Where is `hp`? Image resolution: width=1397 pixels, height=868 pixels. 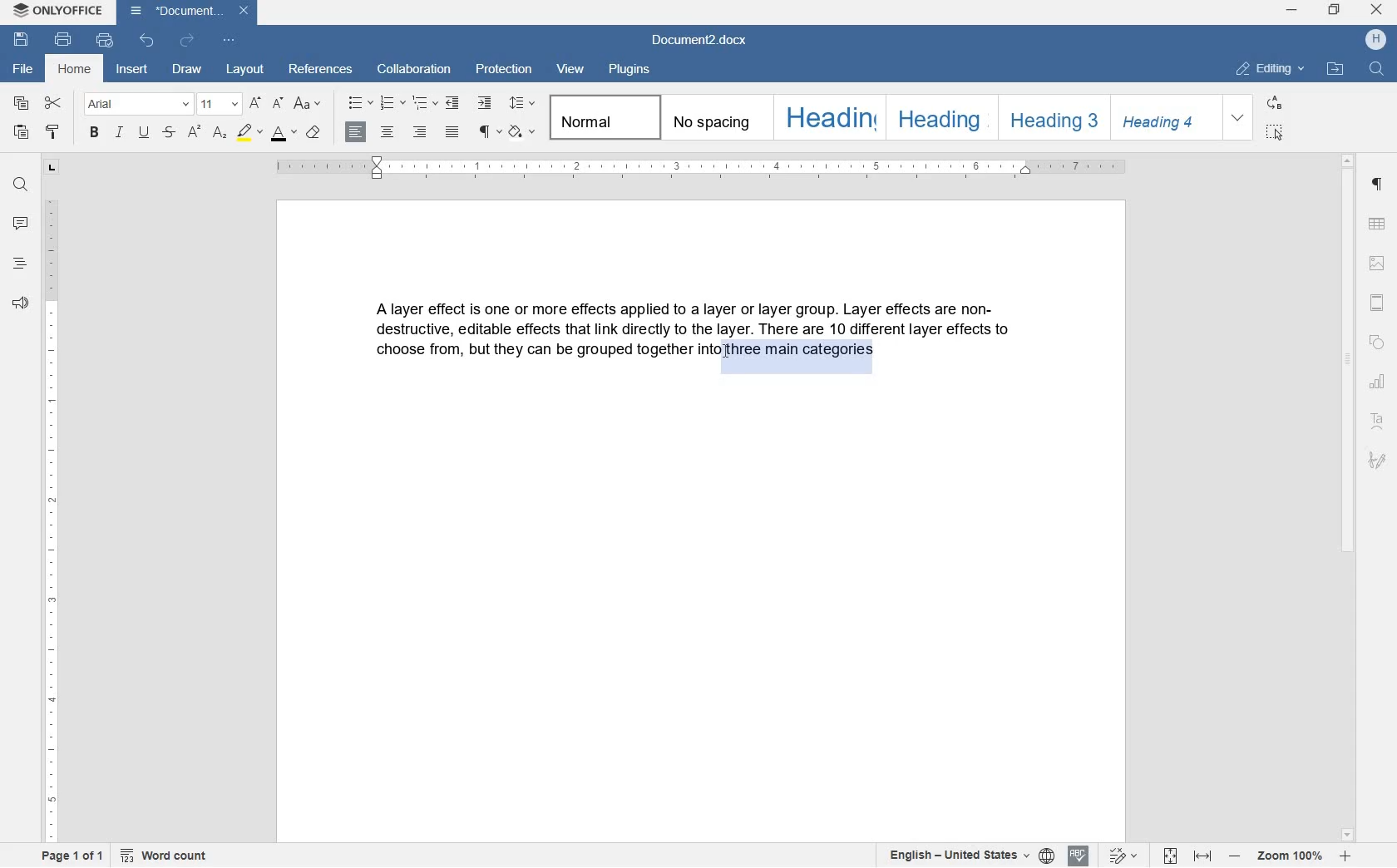
hp is located at coordinates (1378, 40).